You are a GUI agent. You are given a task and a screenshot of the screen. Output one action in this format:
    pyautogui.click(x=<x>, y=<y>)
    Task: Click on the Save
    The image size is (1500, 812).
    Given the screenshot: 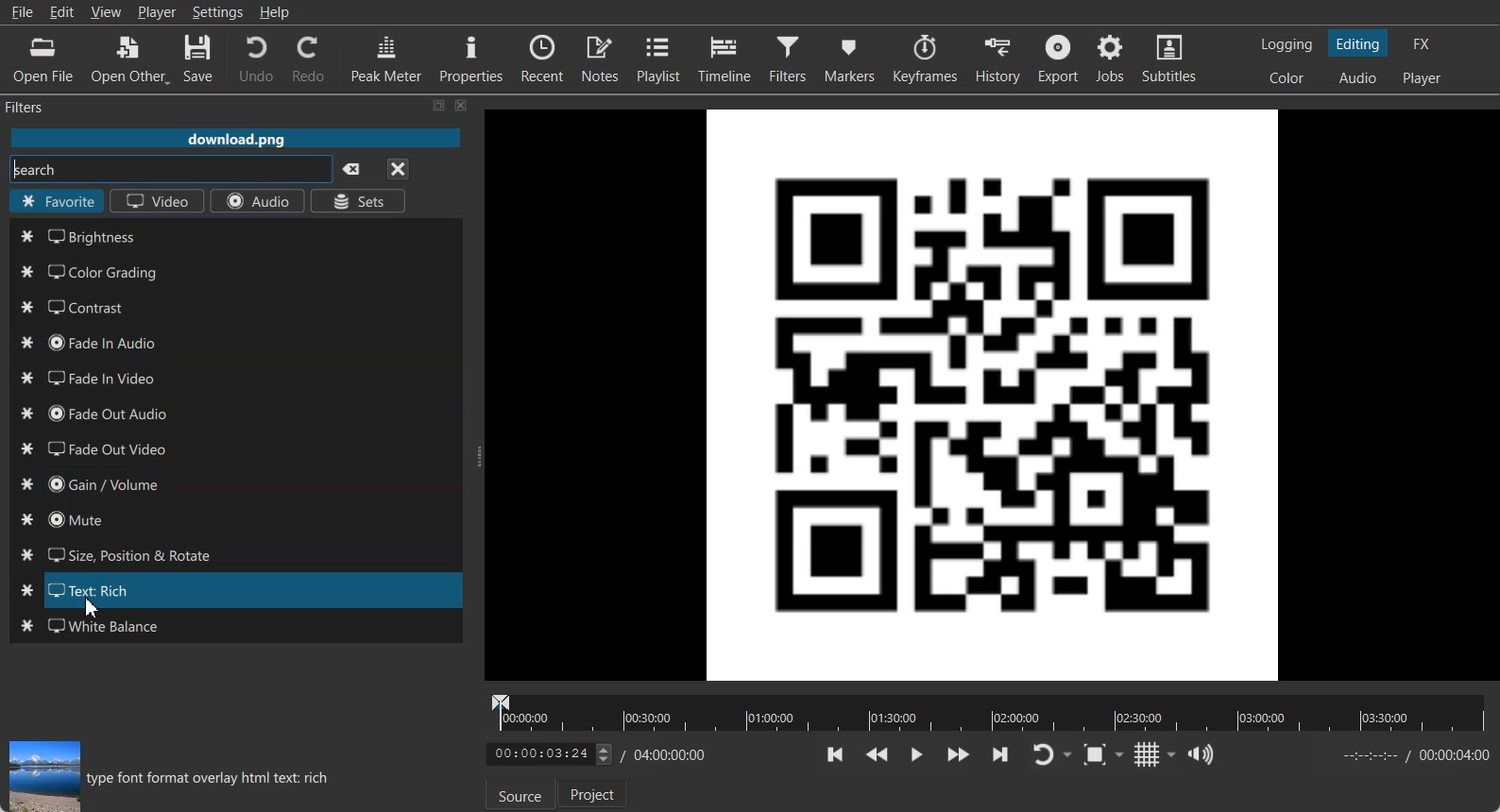 What is the action you would take?
    pyautogui.click(x=198, y=59)
    